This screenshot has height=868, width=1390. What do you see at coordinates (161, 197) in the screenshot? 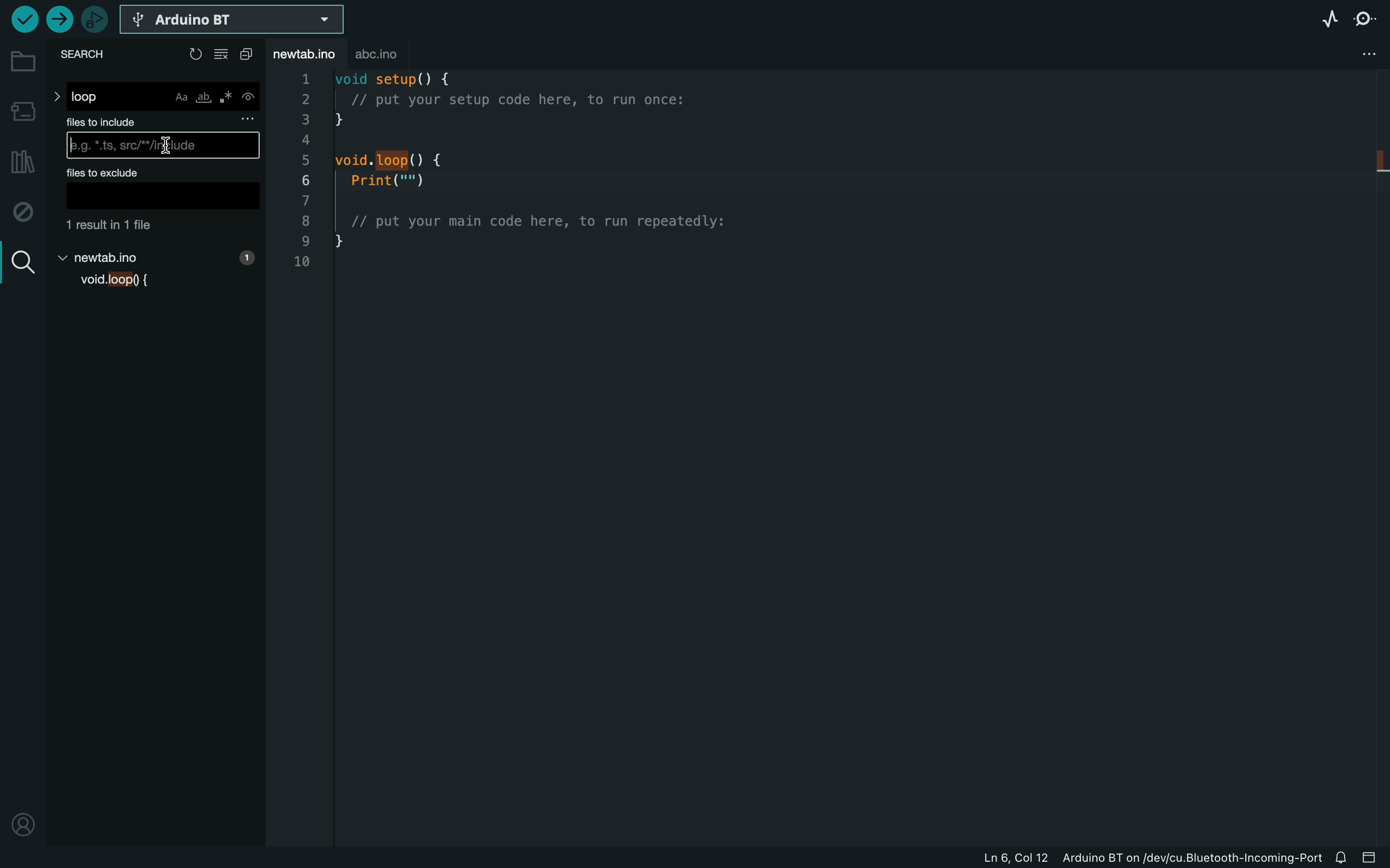
I see `input field` at bounding box center [161, 197].